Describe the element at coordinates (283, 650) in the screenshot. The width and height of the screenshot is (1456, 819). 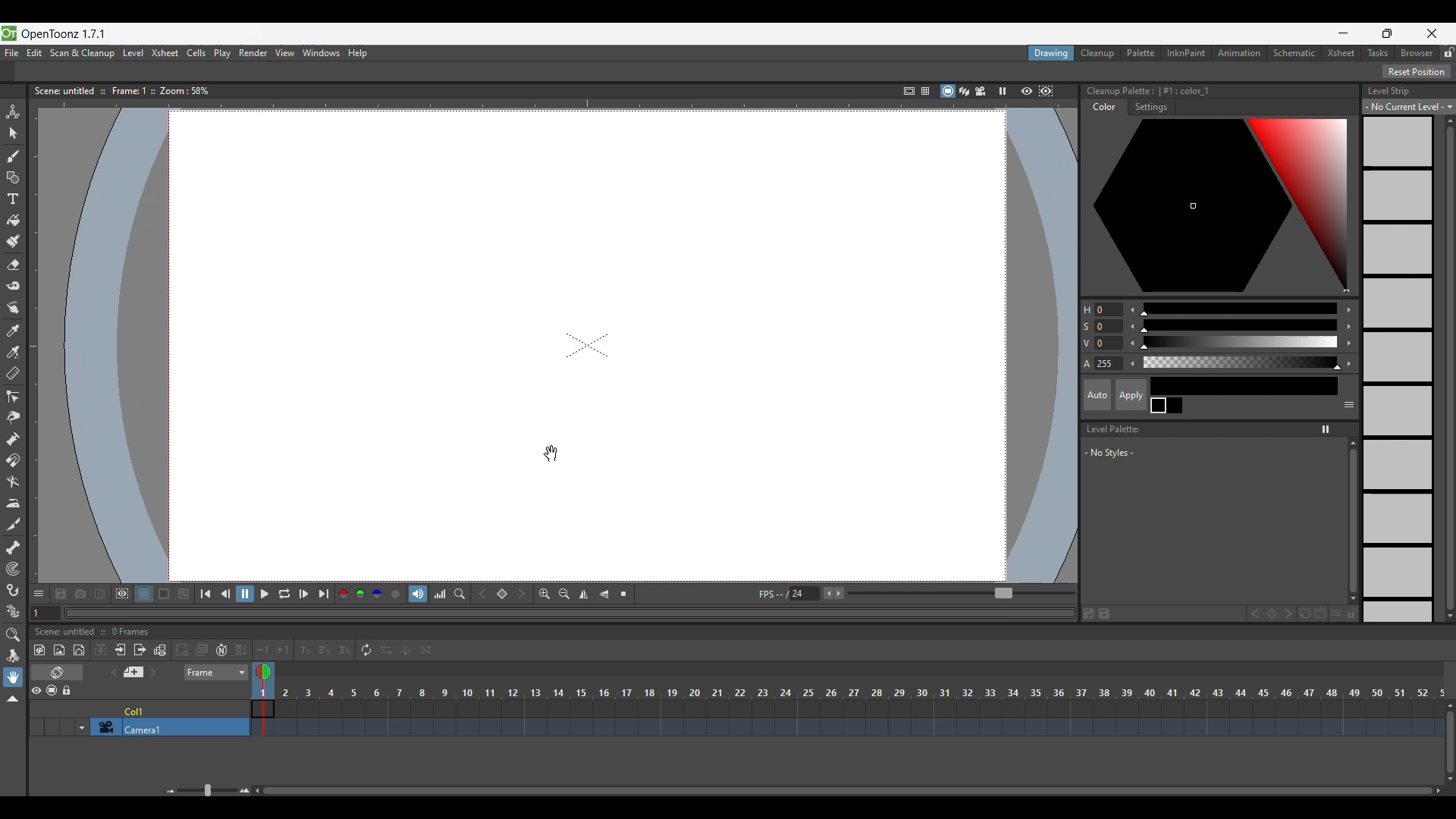
I see `Increase step` at that location.